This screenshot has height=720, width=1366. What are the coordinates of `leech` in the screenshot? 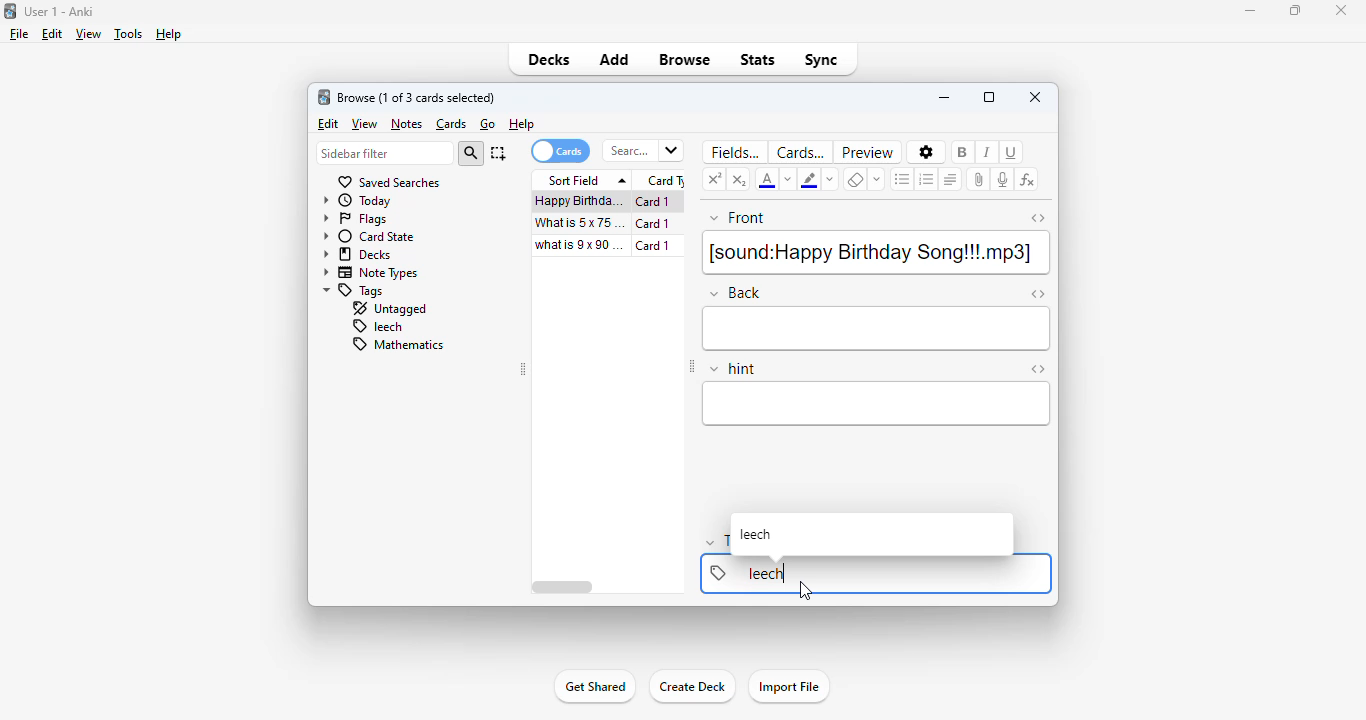 It's located at (756, 535).